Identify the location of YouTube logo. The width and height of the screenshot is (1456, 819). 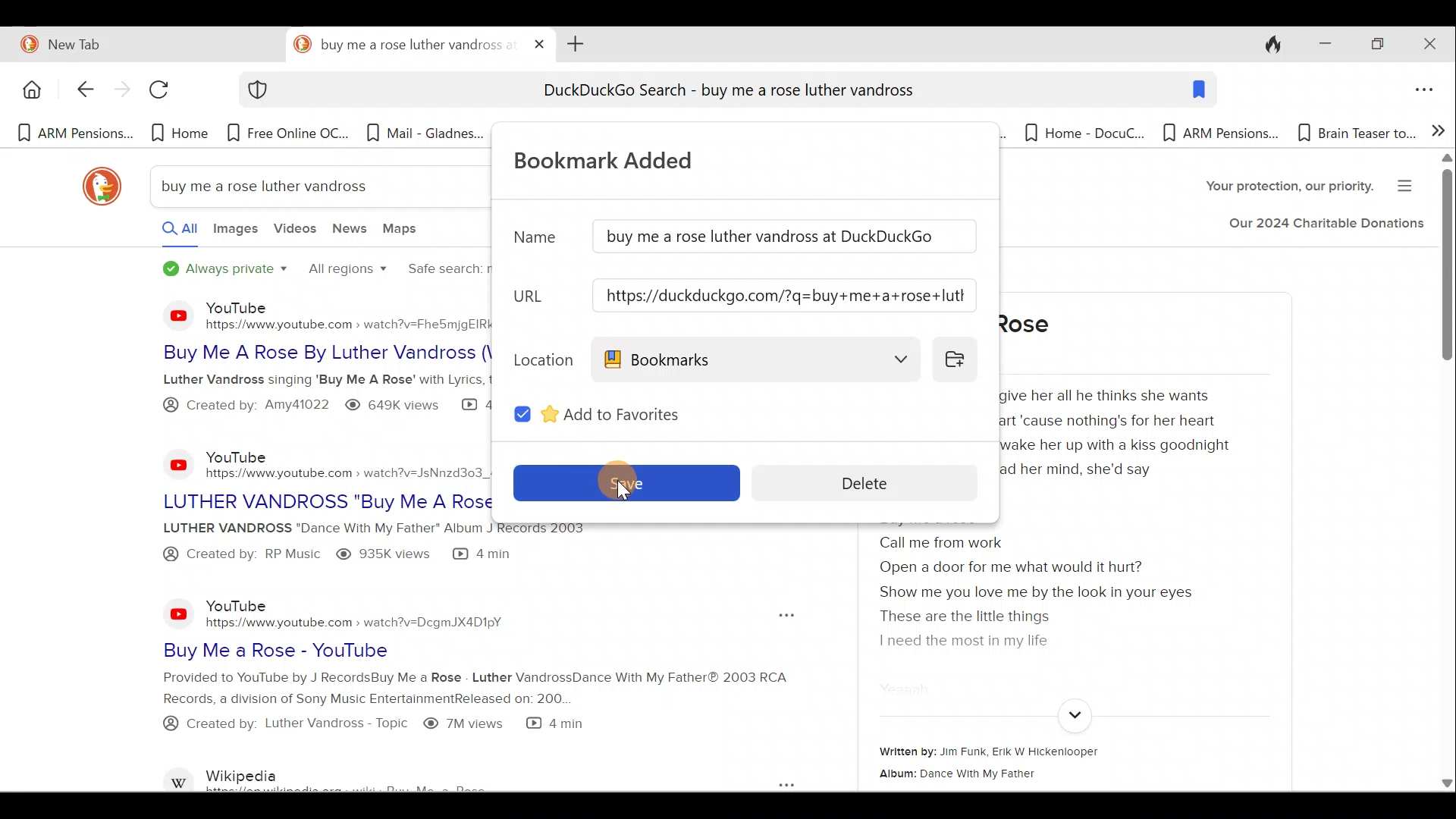
(170, 464).